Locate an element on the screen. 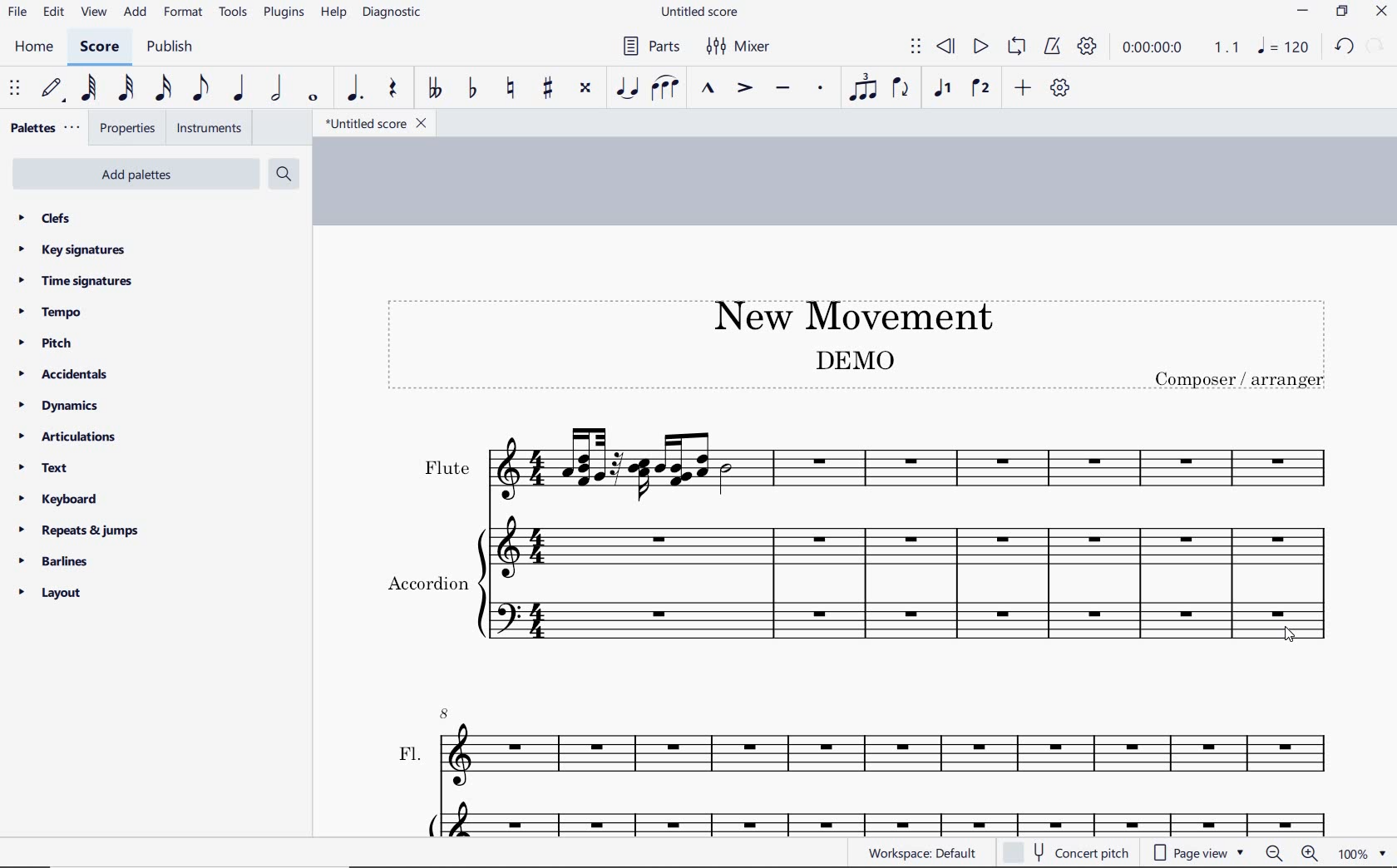 Image resolution: width=1397 pixels, height=868 pixels. text is located at coordinates (446, 468).